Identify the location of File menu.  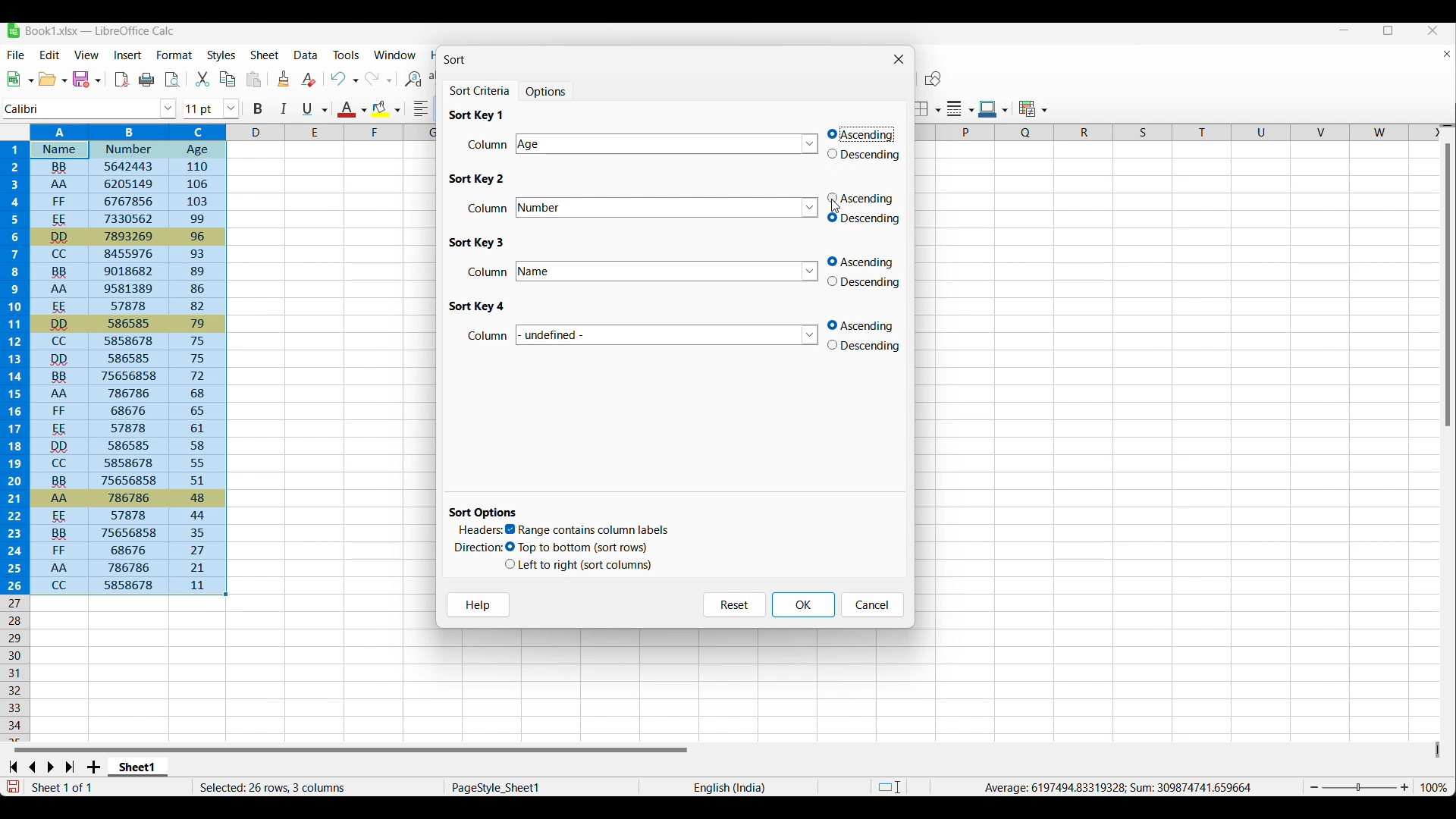
(17, 55).